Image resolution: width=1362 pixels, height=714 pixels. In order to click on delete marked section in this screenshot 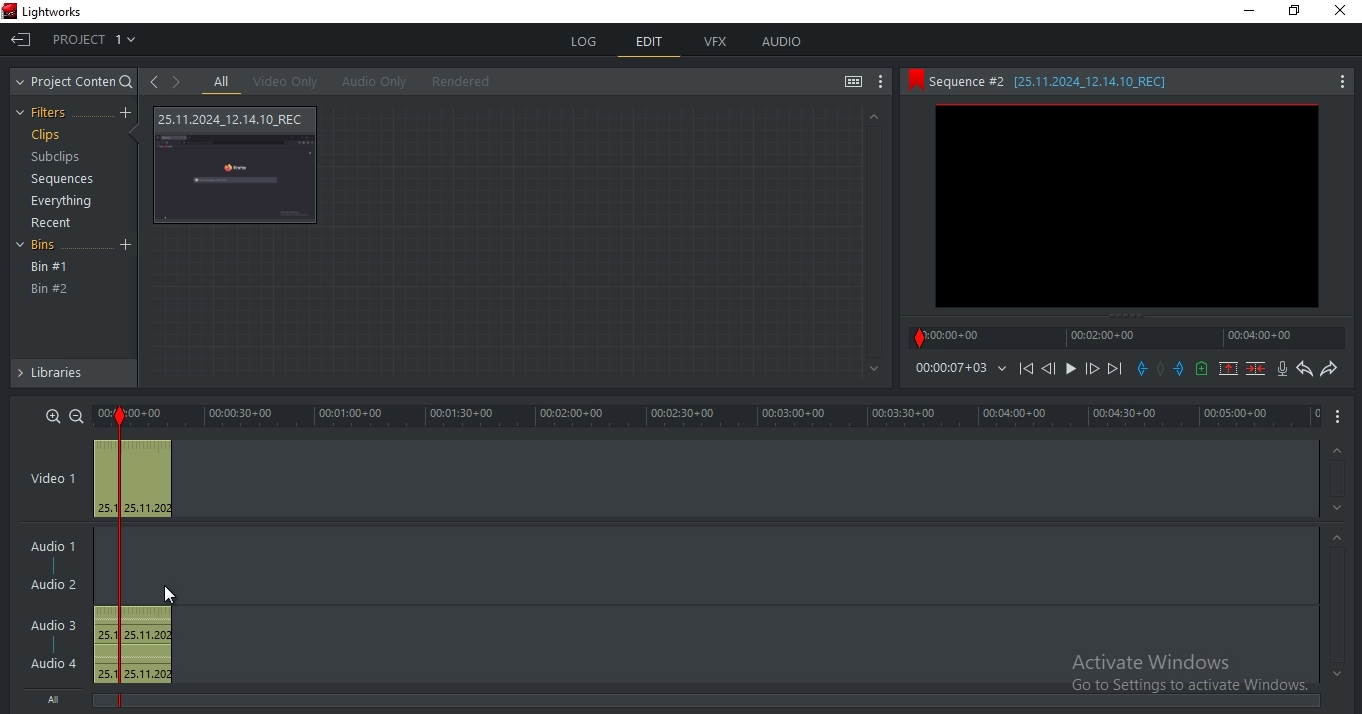, I will do `click(1256, 369)`.